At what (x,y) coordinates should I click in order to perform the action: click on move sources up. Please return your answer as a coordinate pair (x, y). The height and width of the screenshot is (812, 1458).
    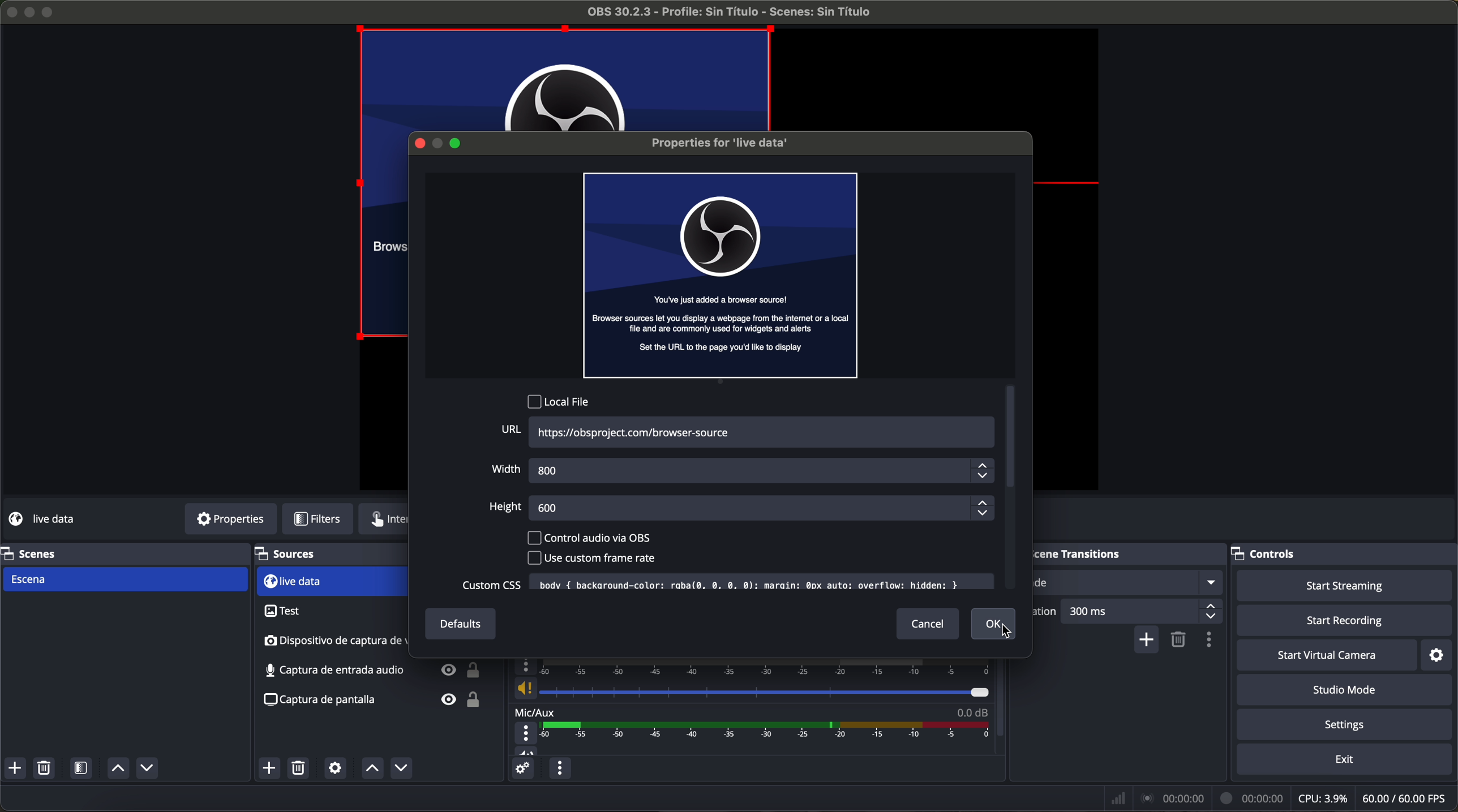
    Looking at the image, I should click on (369, 768).